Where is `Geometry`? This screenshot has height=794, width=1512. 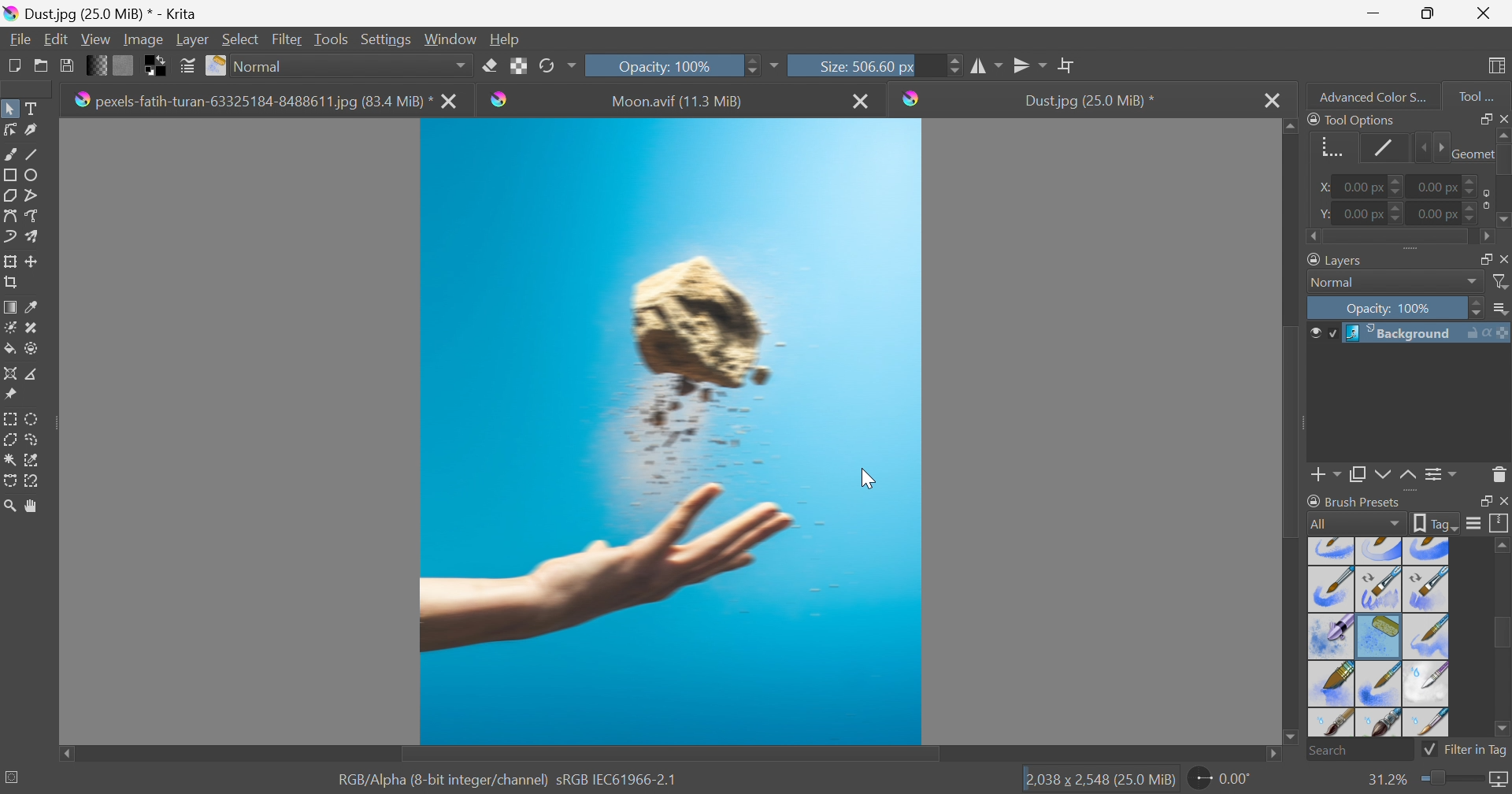 Geometry is located at coordinates (1328, 145).